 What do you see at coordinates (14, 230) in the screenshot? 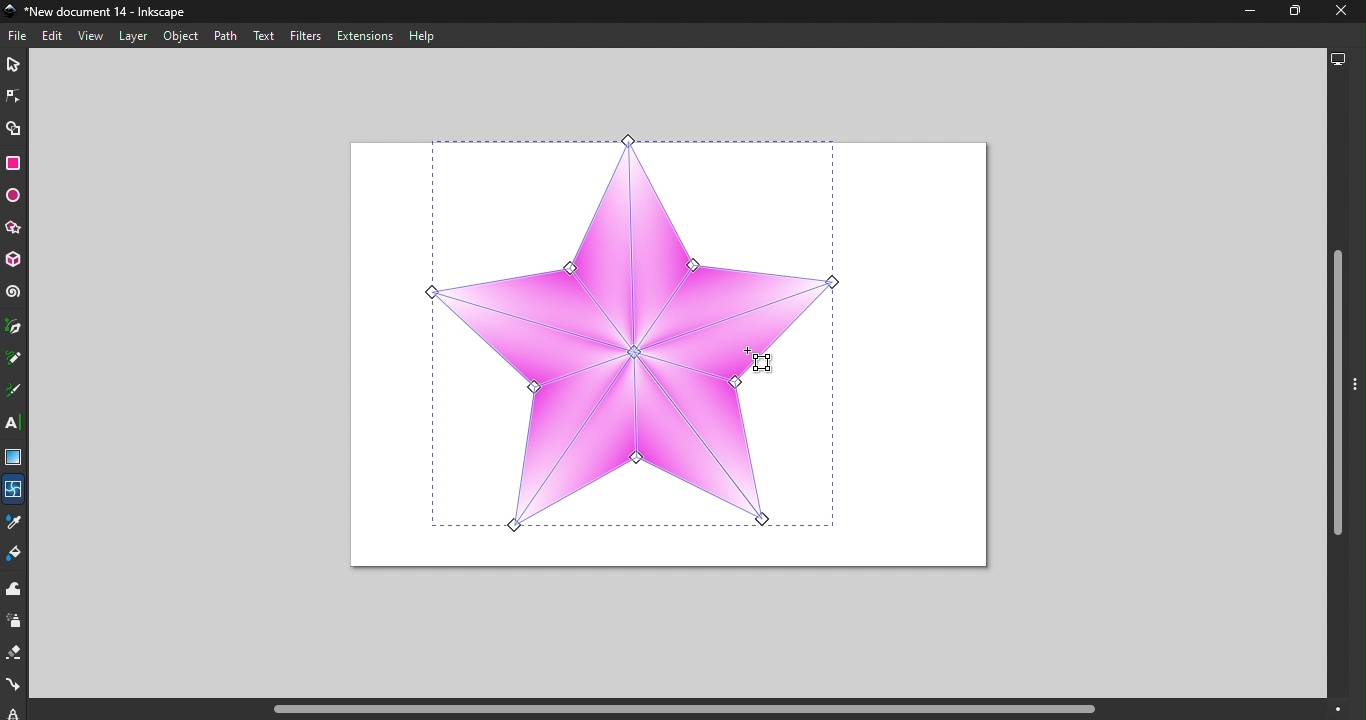
I see `Star/Polygon` at bounding box center [14, 230].